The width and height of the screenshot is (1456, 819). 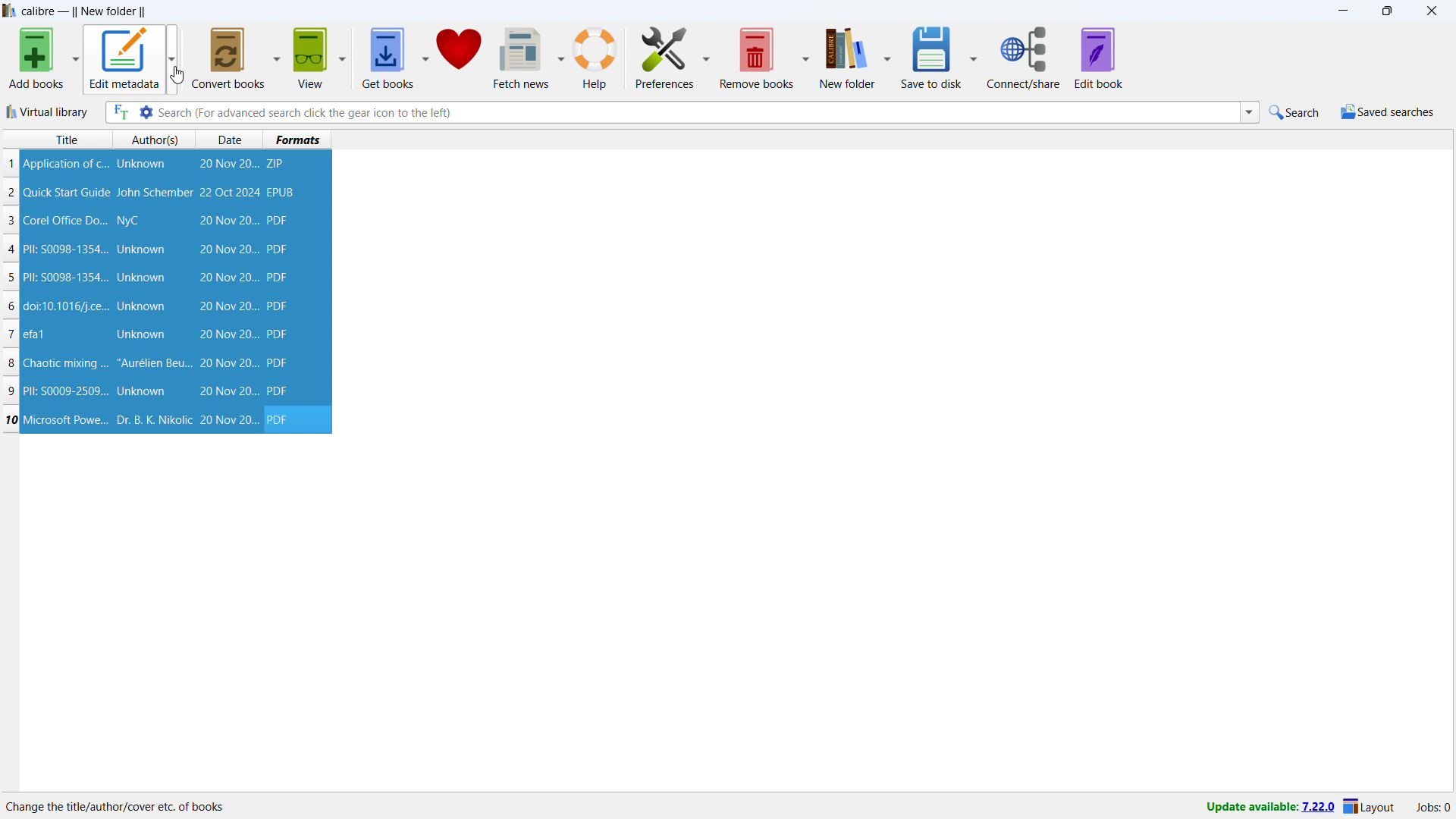 I want to click on 2, so click(x=11, y=193).